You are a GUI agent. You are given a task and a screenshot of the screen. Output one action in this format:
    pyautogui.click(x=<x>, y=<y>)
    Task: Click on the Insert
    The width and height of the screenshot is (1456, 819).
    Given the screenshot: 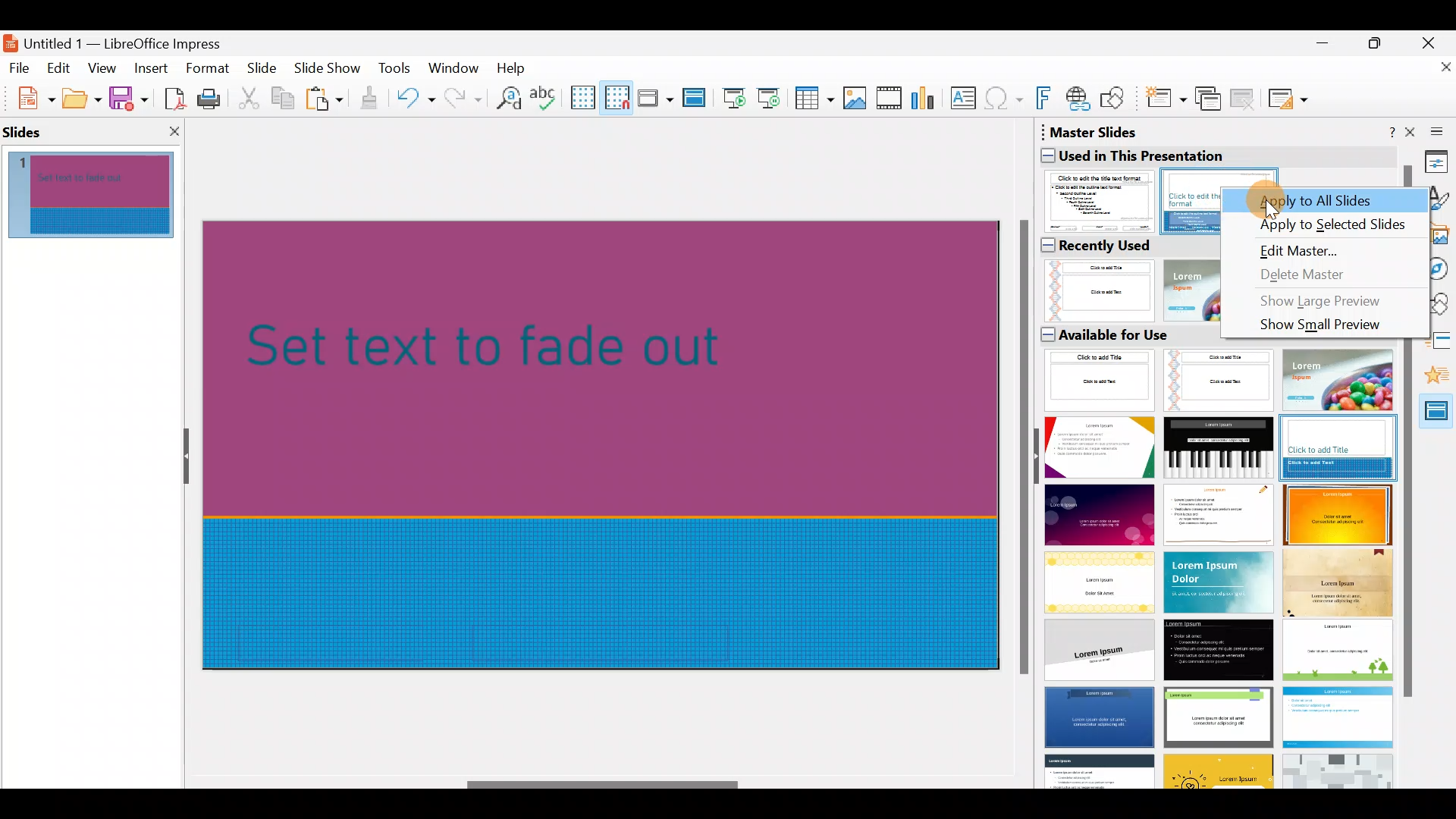 What is the action you would take?
    pyautogui.click(x=150, y=68)
    